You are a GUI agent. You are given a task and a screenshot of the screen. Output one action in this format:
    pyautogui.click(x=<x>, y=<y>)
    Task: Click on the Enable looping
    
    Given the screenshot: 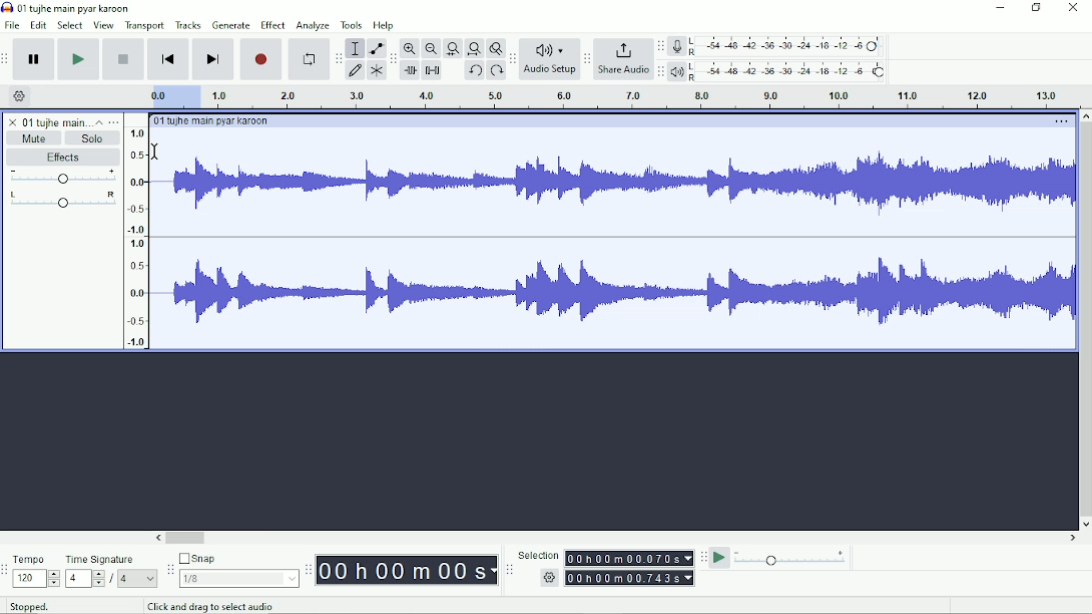 What is the action you would take?
    pyautogui.click(x=307, y=60)
    